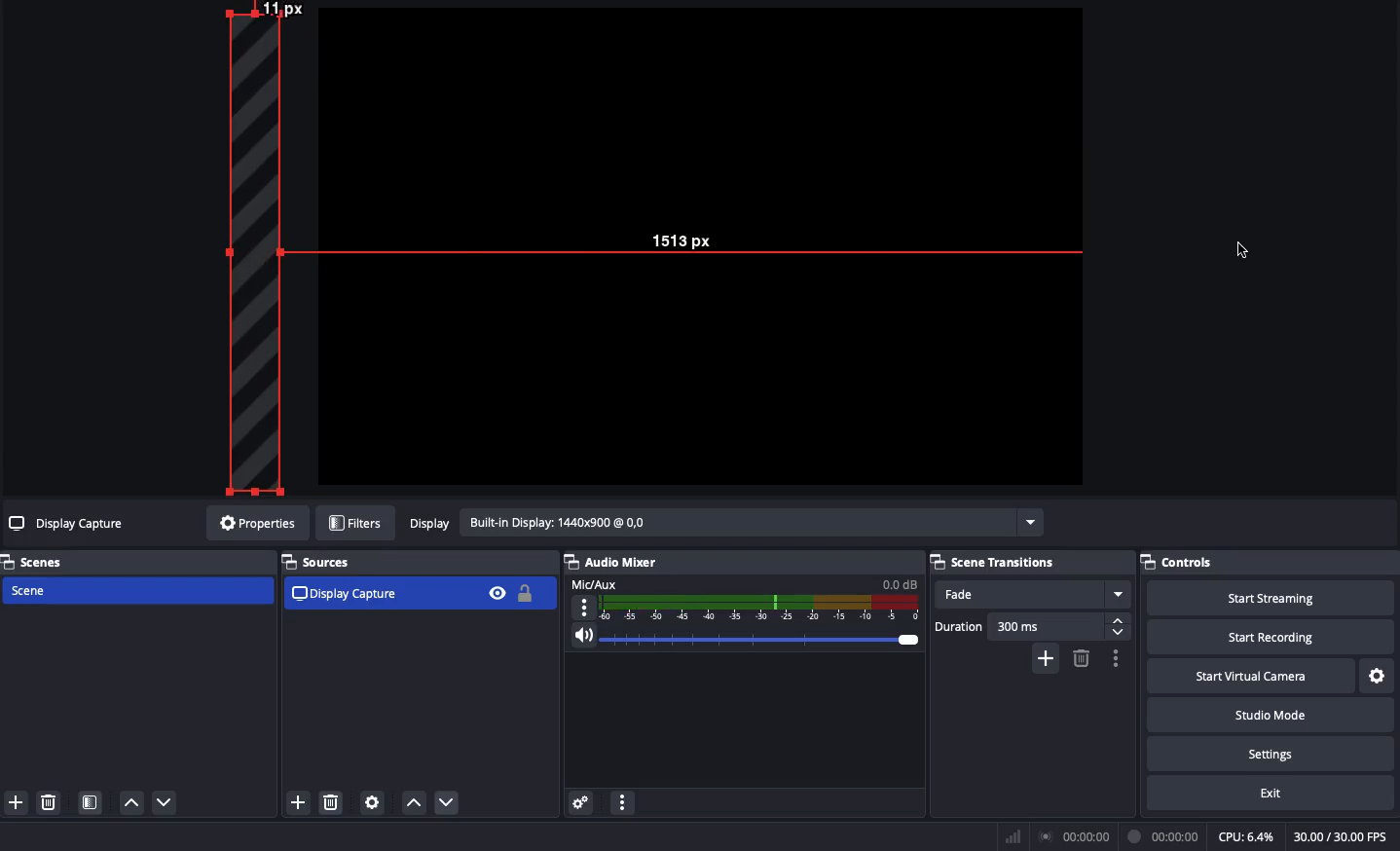  What do you see at coordinates (1080, 658) in the screenshot?
I see `Delete` at bounding box center [1080, 658].